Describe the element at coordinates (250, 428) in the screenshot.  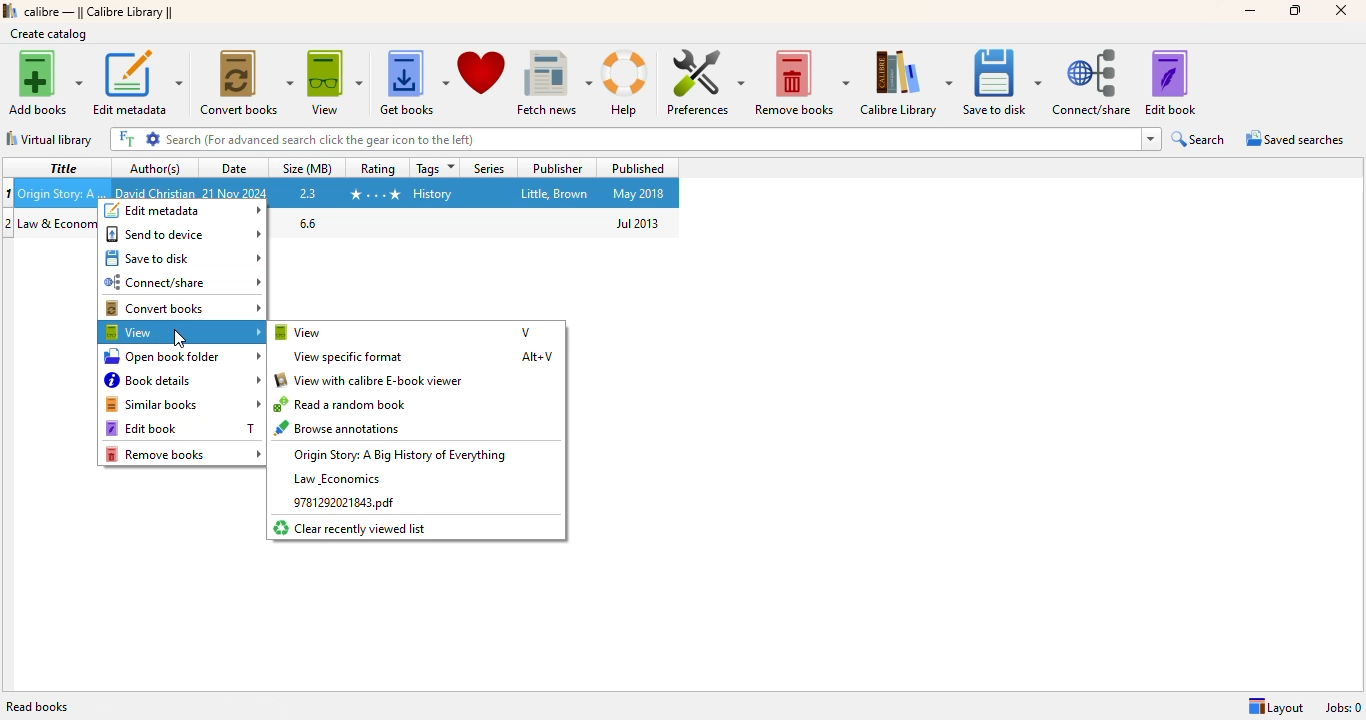
I see `shortcut for edit book` at that location.